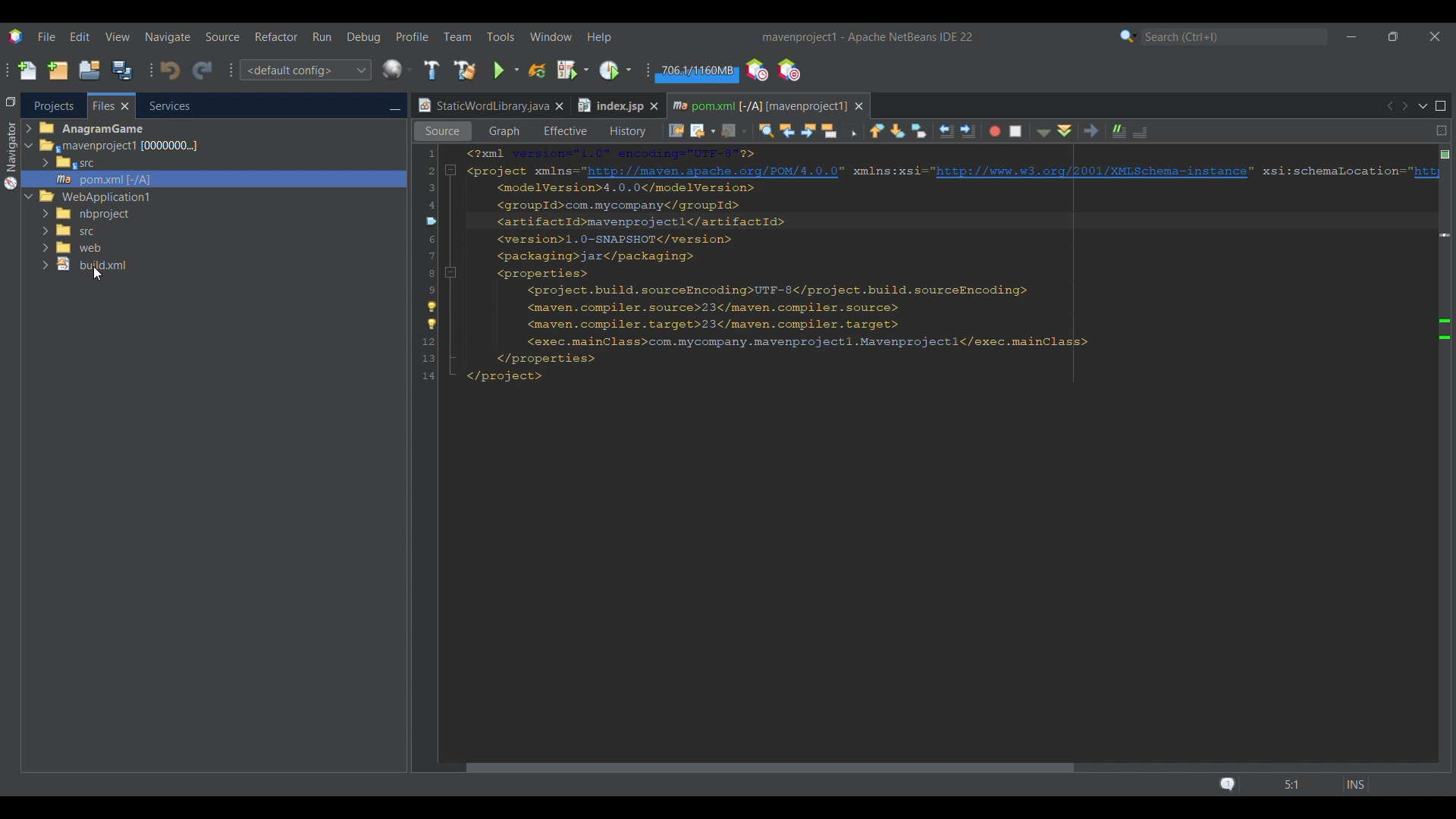 The height and width of the screenshot is (819, 1456). Describe the element at coordinates (413, 36) in the screenshot. I see `Profile menu` at that location.